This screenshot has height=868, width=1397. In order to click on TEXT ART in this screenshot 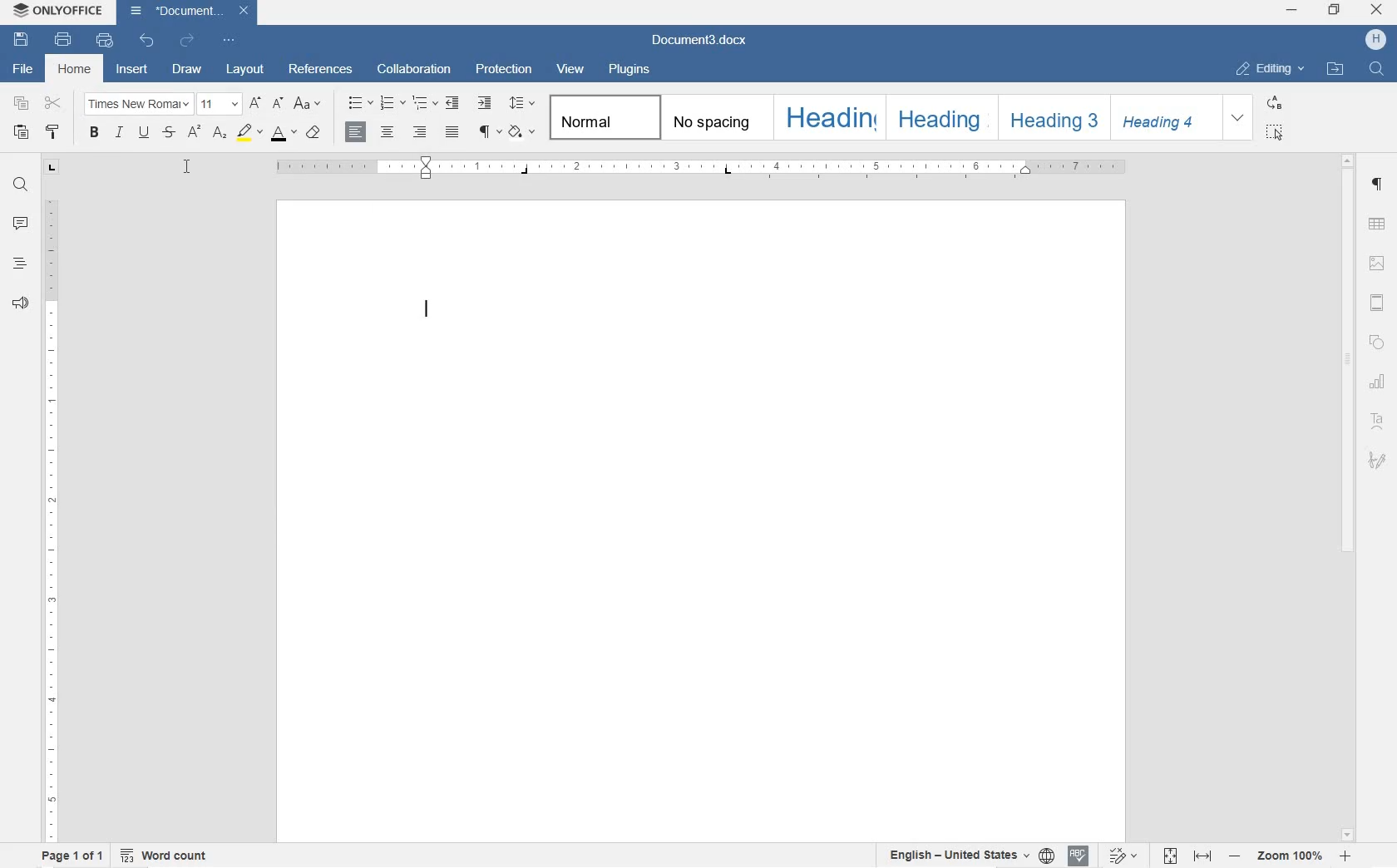, I will do `click(1378, 421)`.